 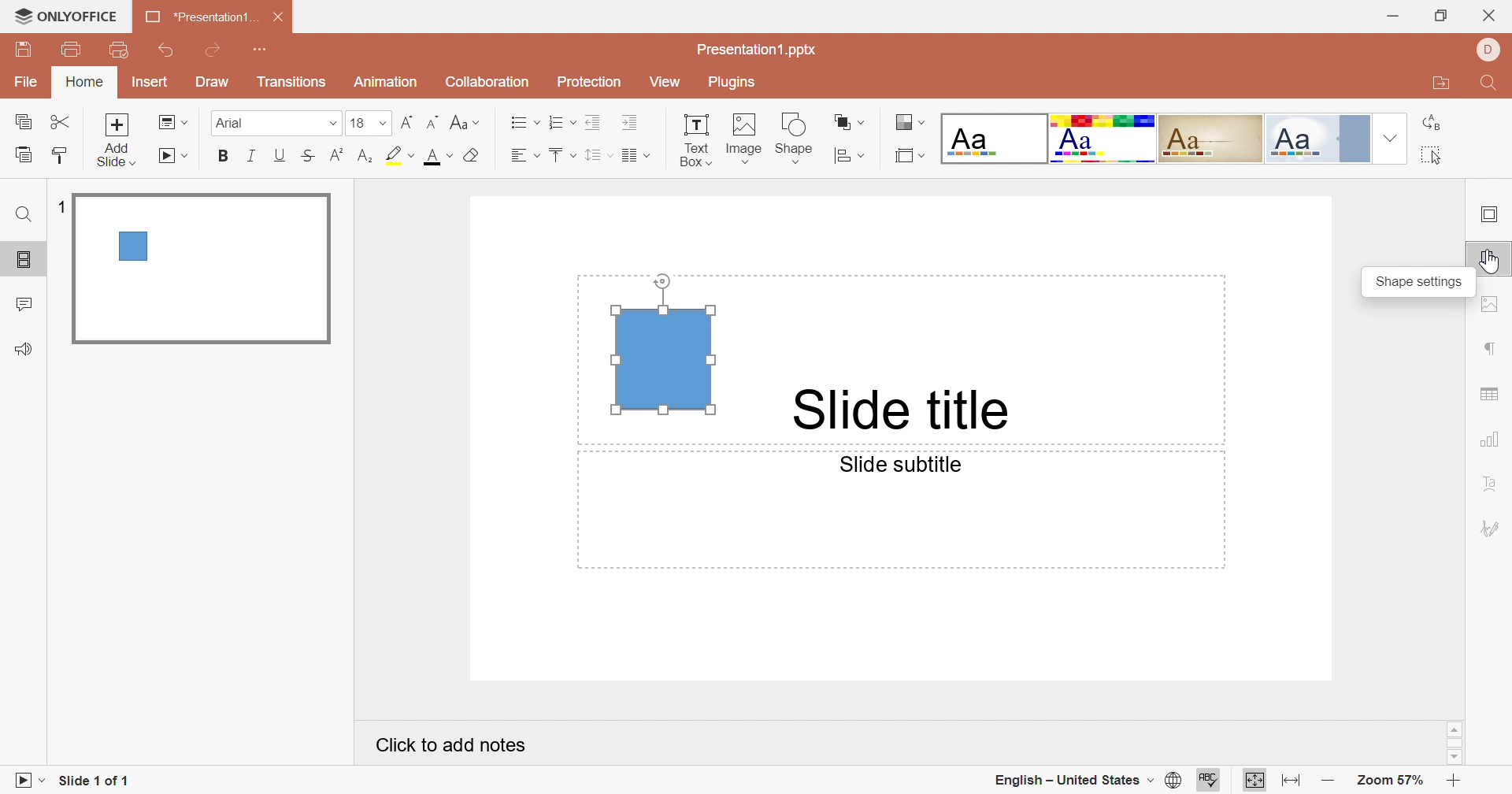 What do you see at coordinates (199, 17) in the screenshot?
I see `*Presentation1....xlsx` at bounding box center [199, 17].